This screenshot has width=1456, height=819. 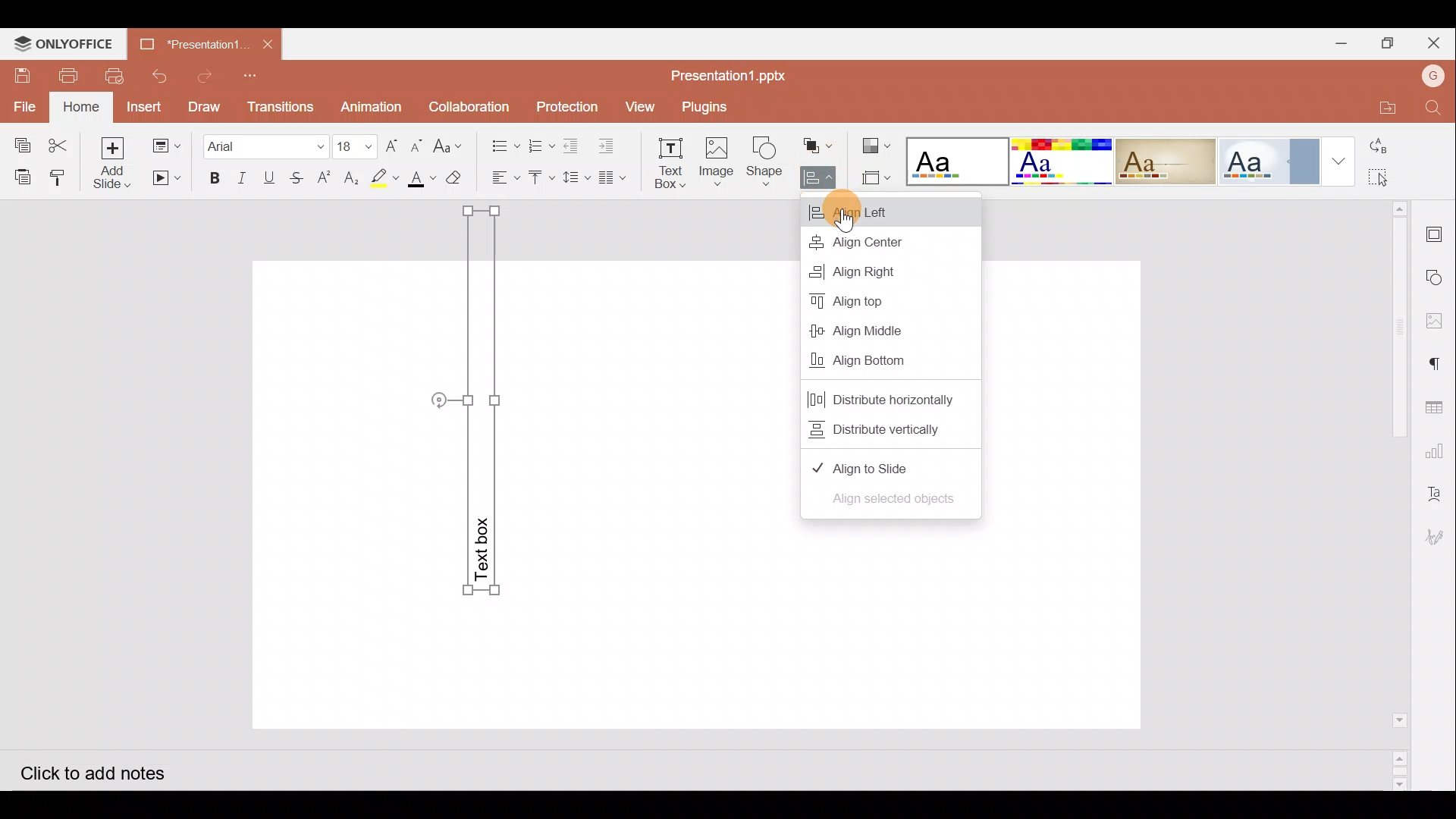 I want to click on Click to add notes, so click(x=105, y=770).